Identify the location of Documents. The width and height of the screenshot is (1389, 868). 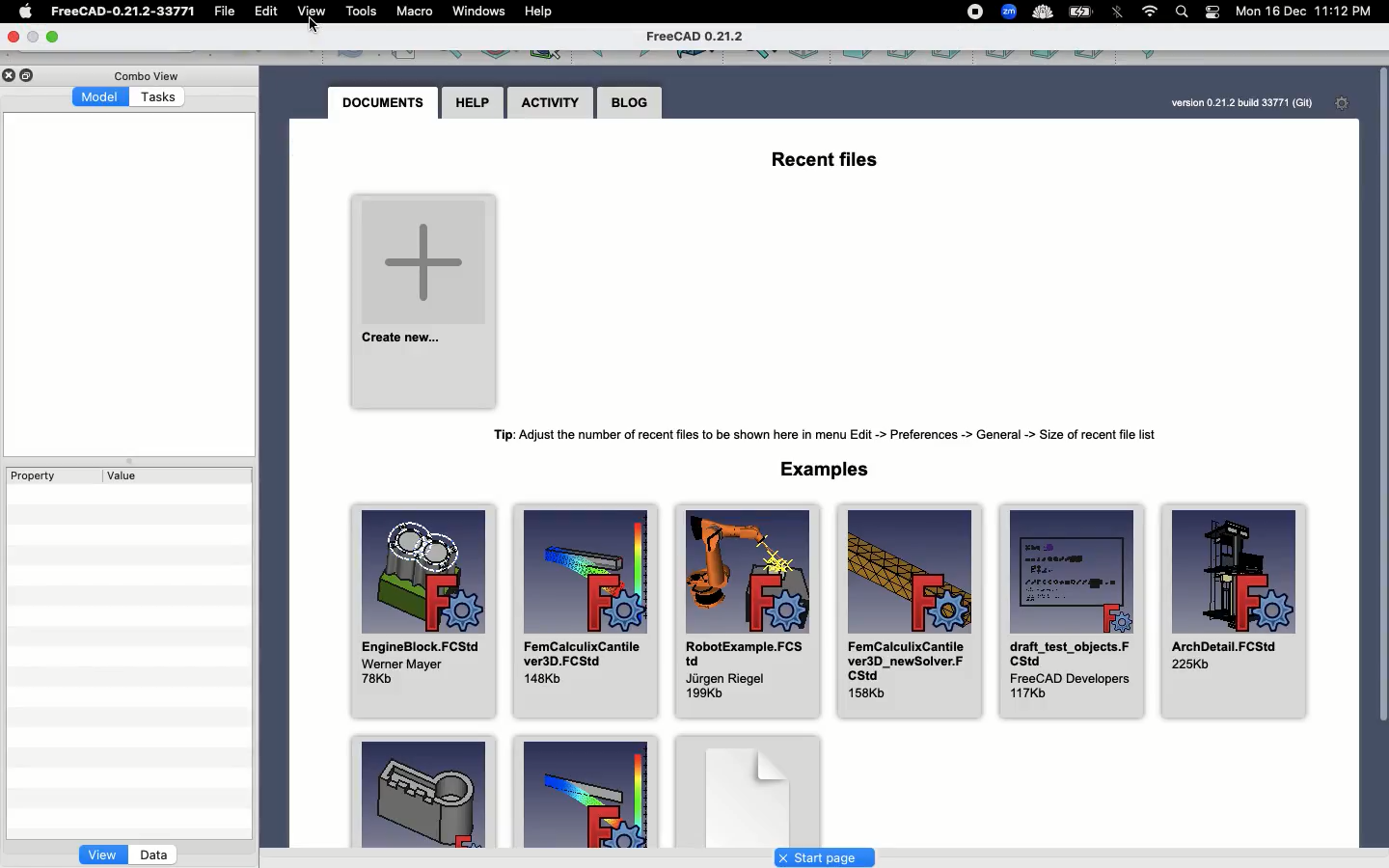
(385, 103).